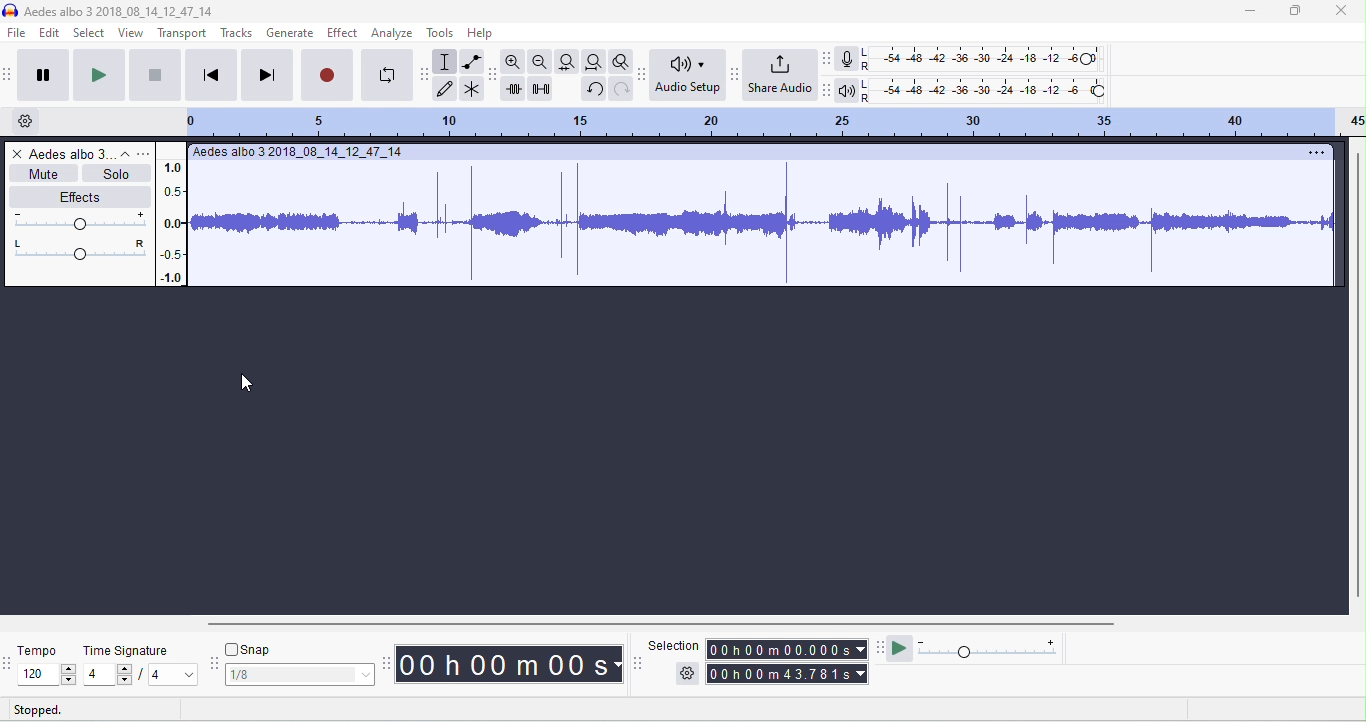 This screenshot has height=722, width=1366. Describe the element at coordinates (79, 196) in the screenshot. I see `effects` at that location.